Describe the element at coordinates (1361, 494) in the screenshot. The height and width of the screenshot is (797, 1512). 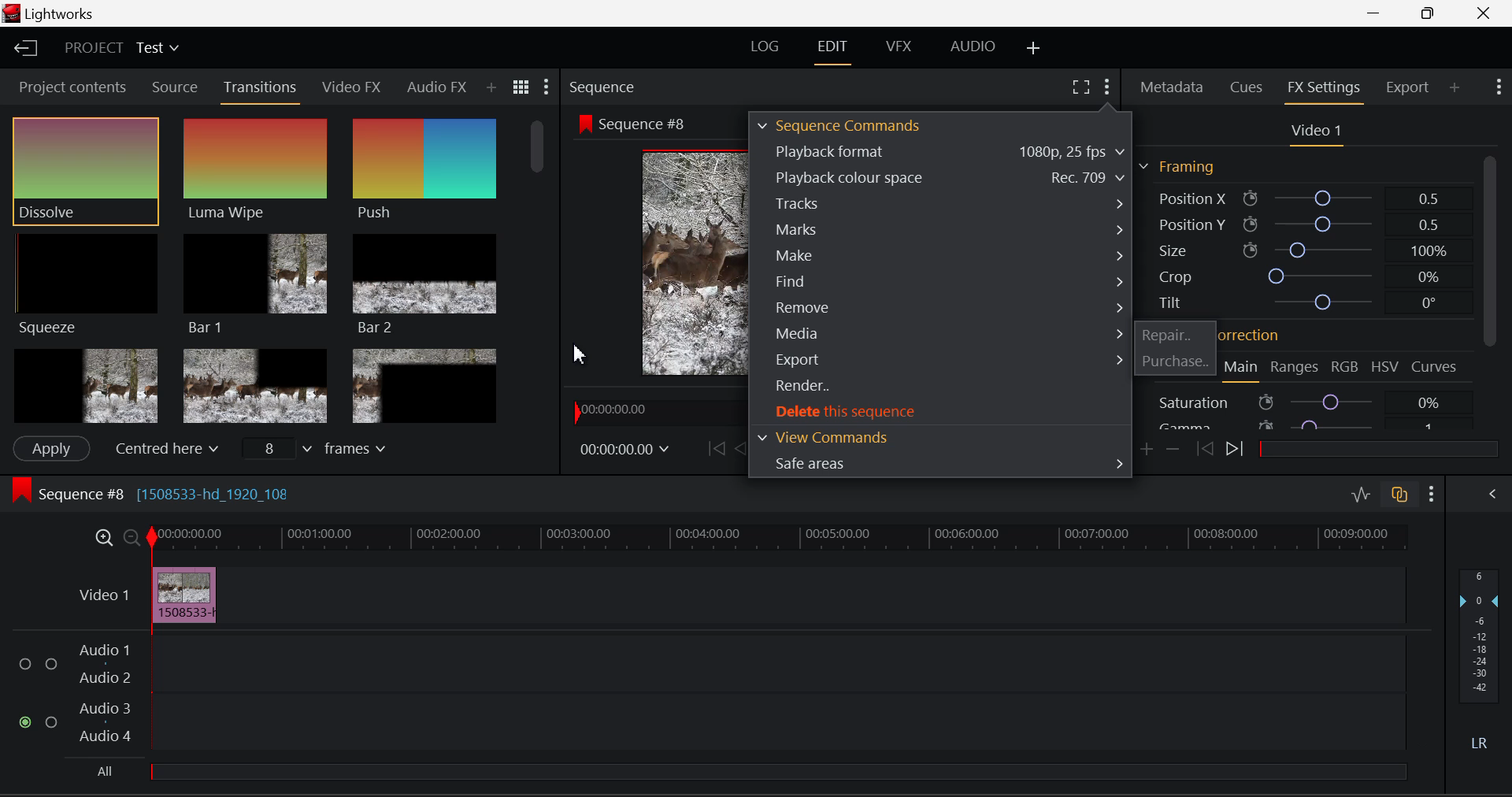
I see `Toggle Audio Levels Editing` at that location.